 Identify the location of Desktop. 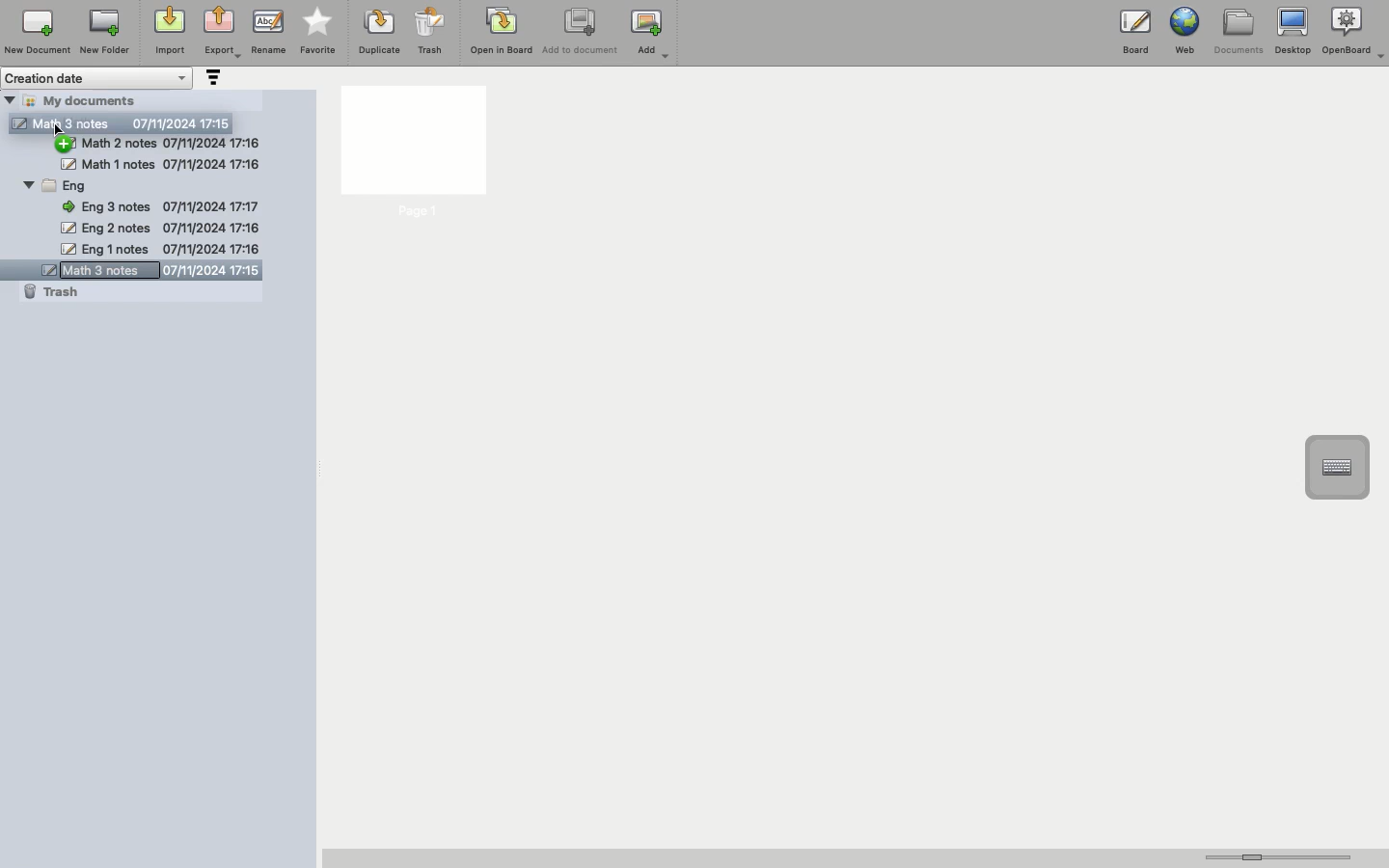
(1293, 32).